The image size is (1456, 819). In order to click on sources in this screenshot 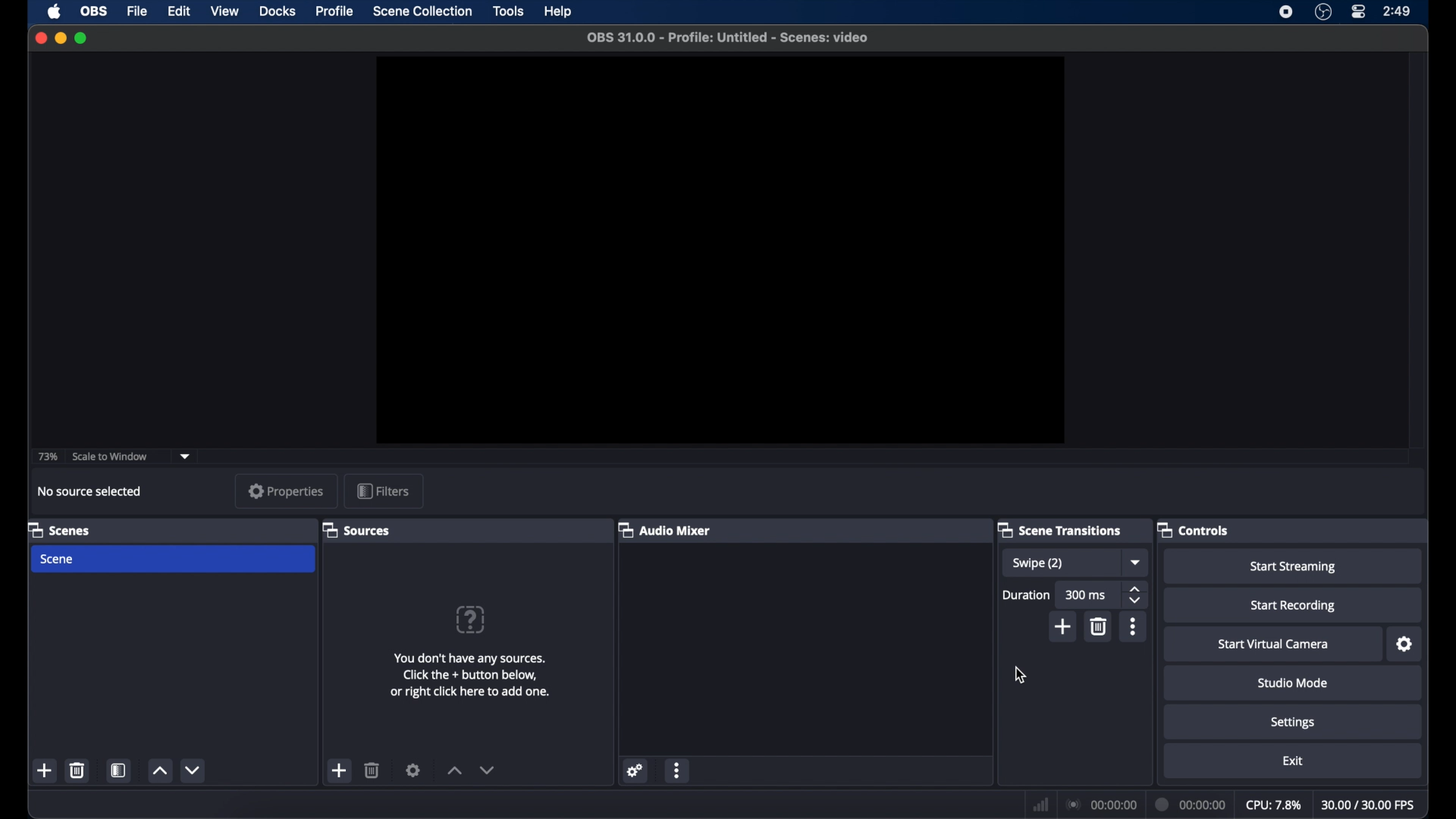, I will do `click(356, 531)`.